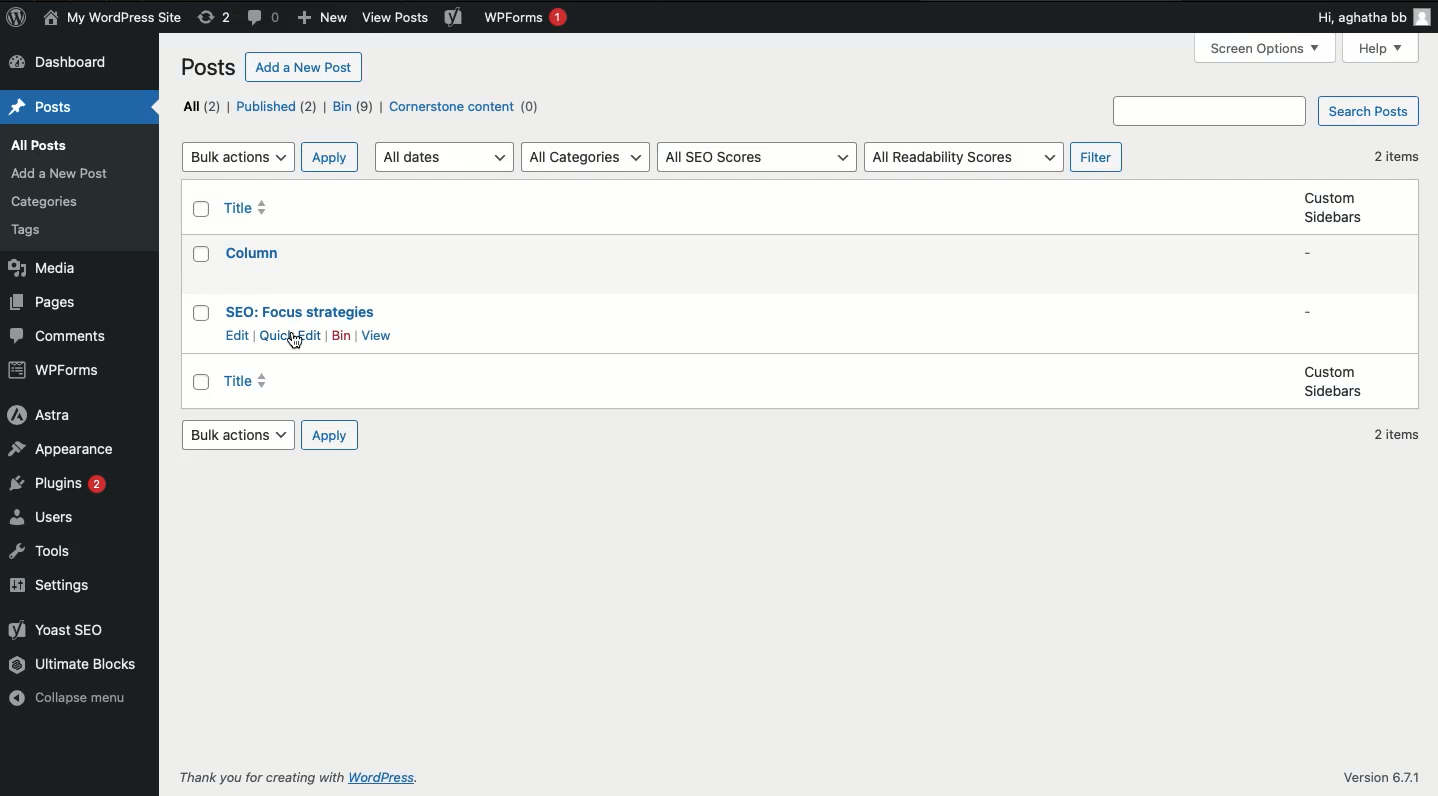 The height and width of the screenshot is (796, 1438). Describe the element at coordinates (331, 157) in the screenshot. I see `Apply` at that location.